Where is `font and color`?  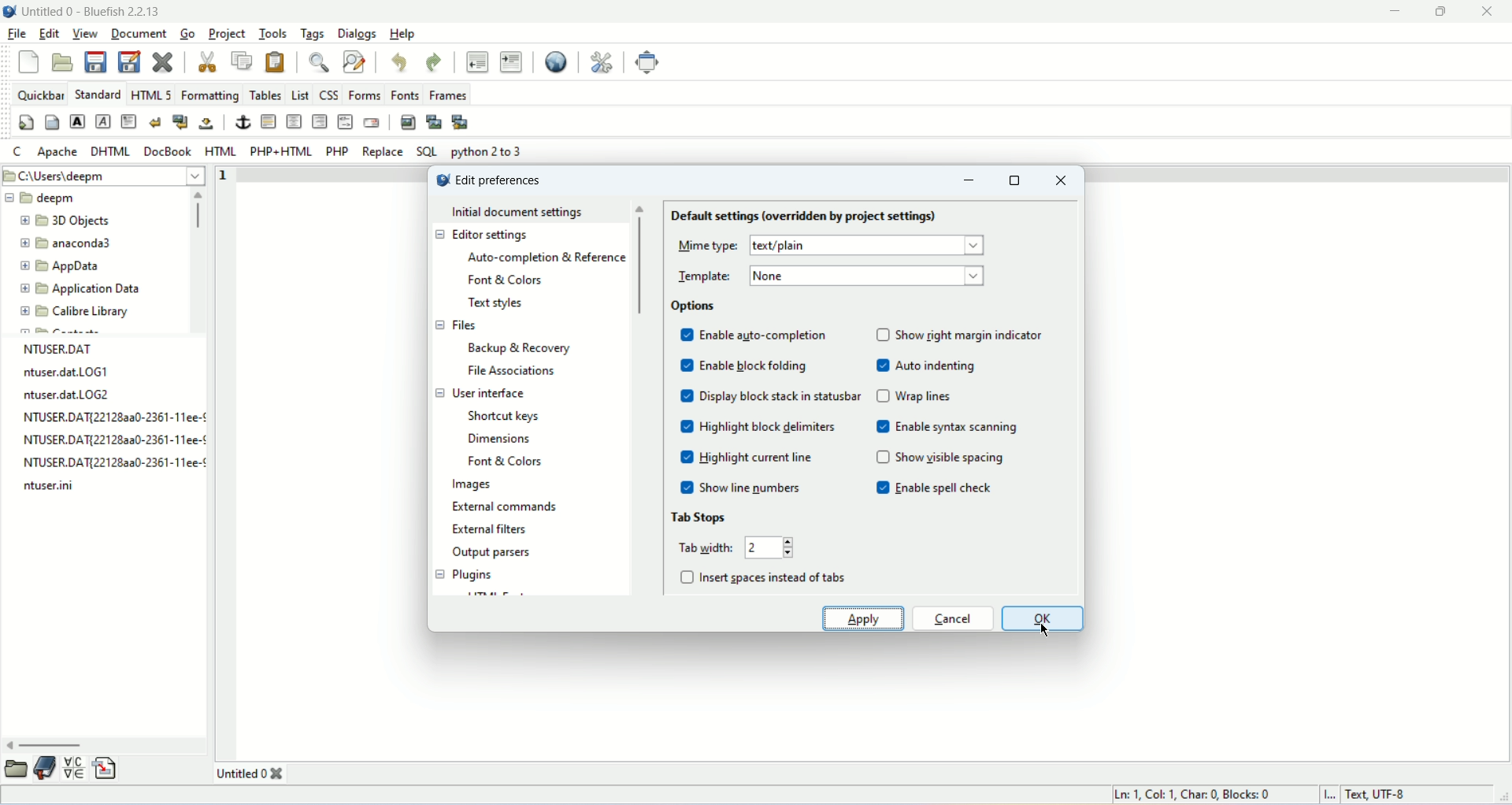
font and color is located at coordinates (509, 280).